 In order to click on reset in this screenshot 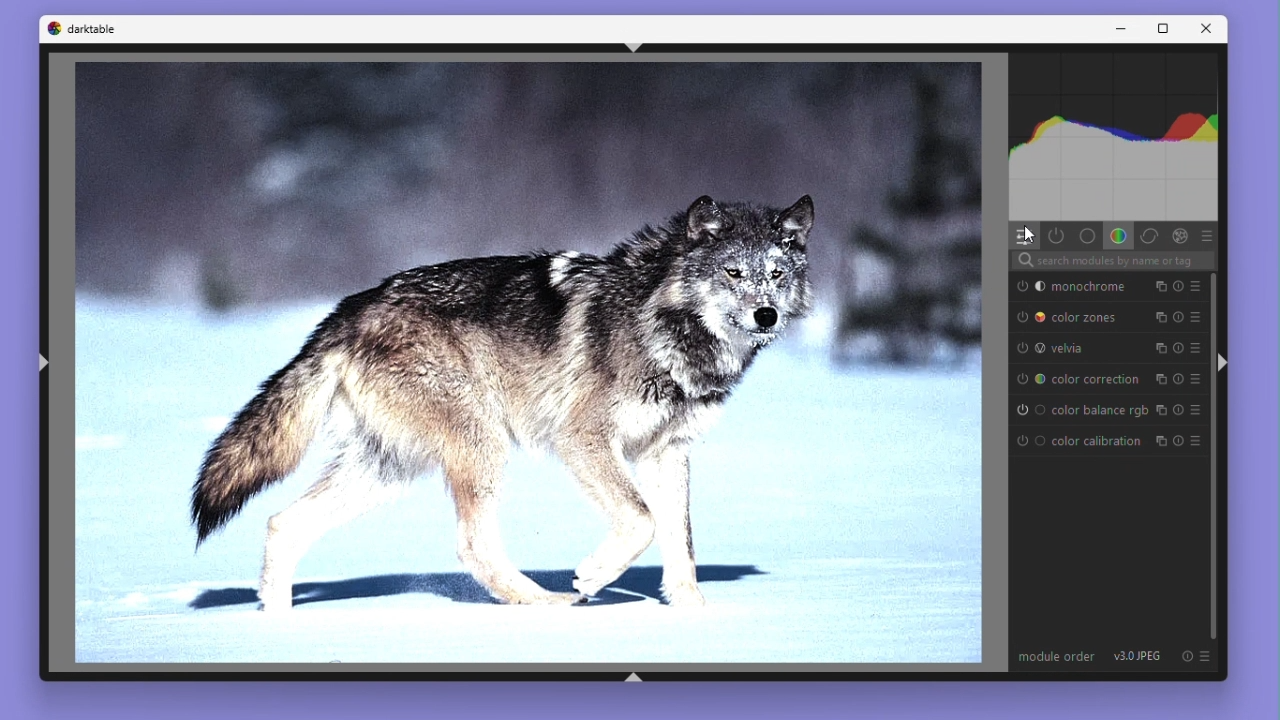, I will do `click(1187, 658)`.